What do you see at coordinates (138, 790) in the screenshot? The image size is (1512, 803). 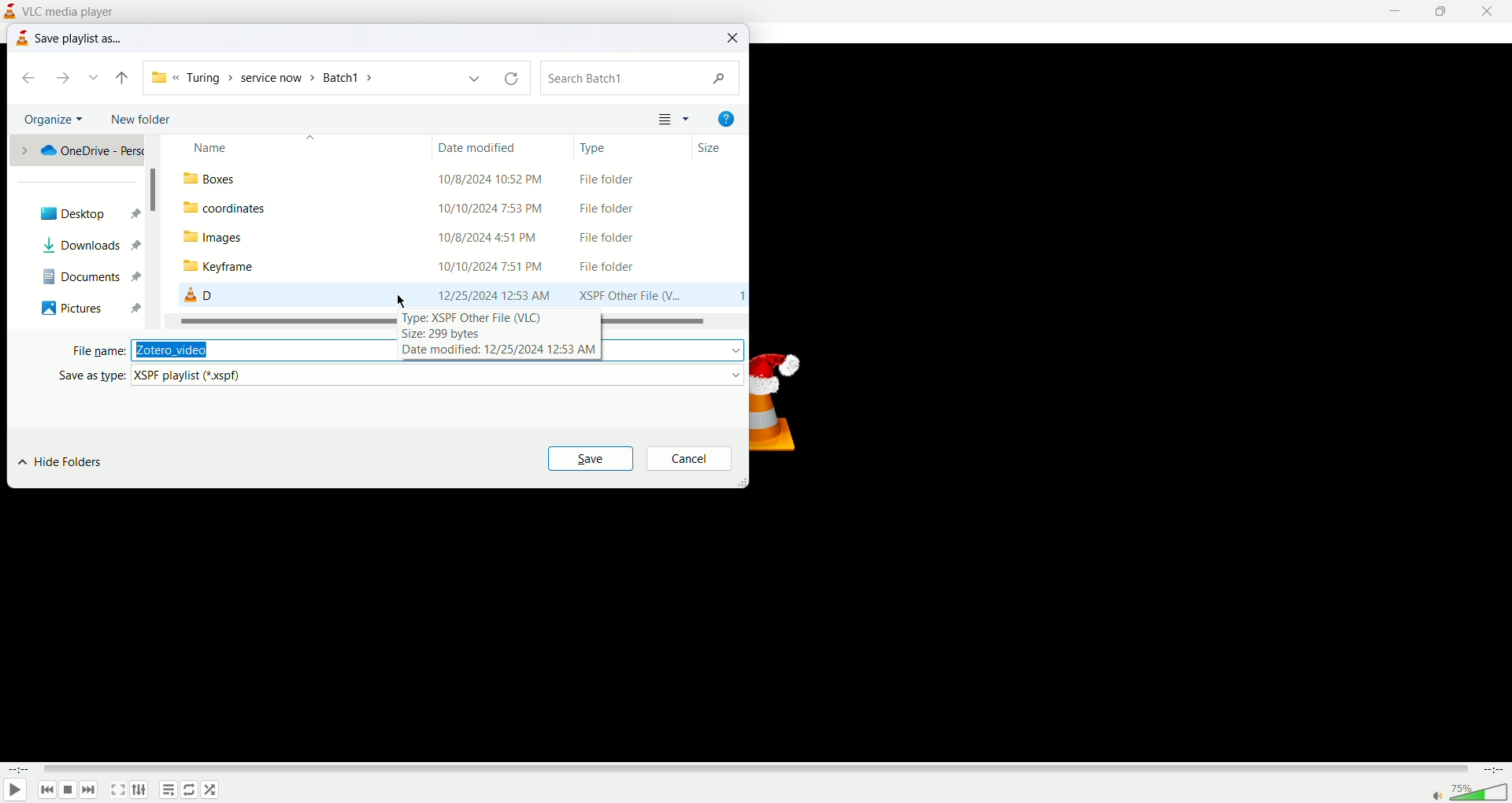 I see `extended settings` at bounding box center [138, 790].